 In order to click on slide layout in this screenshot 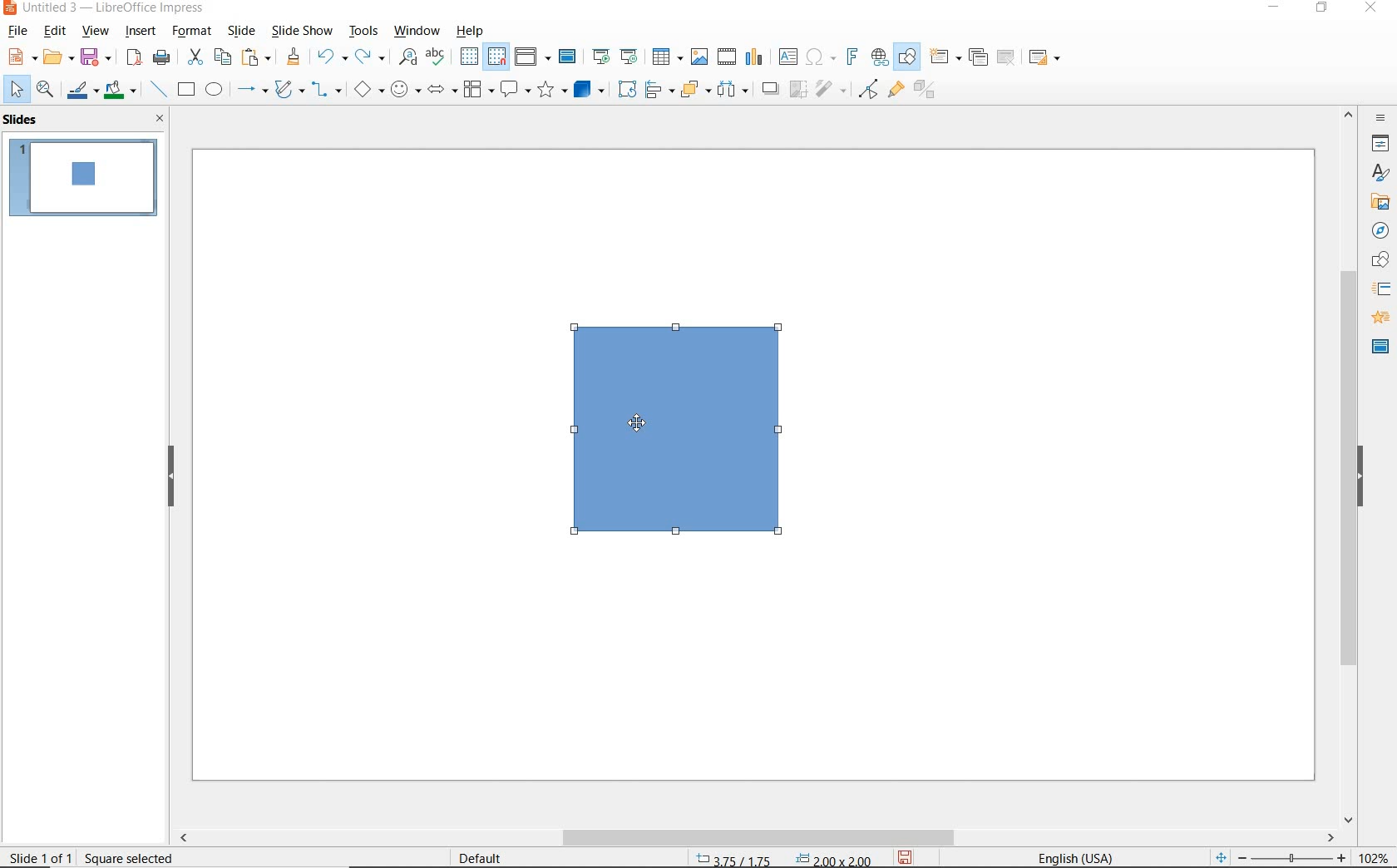, I will do `click(1044, 57)`.